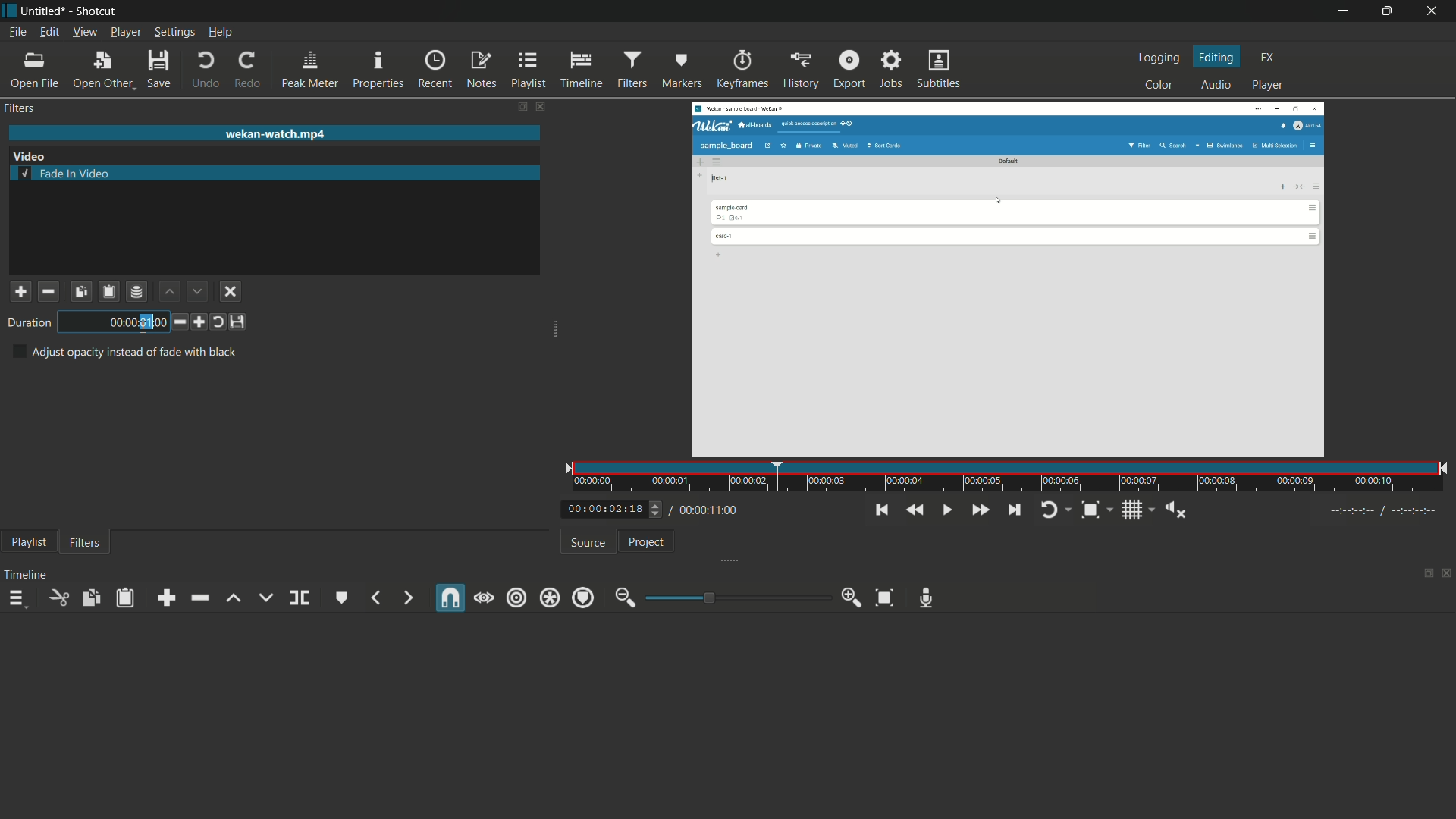 The height and width of the screenshot is (819, 1456). What do you see at coordinates (712, 510) in the screenshot?
I see `total time` at bounding box center [712, 510].